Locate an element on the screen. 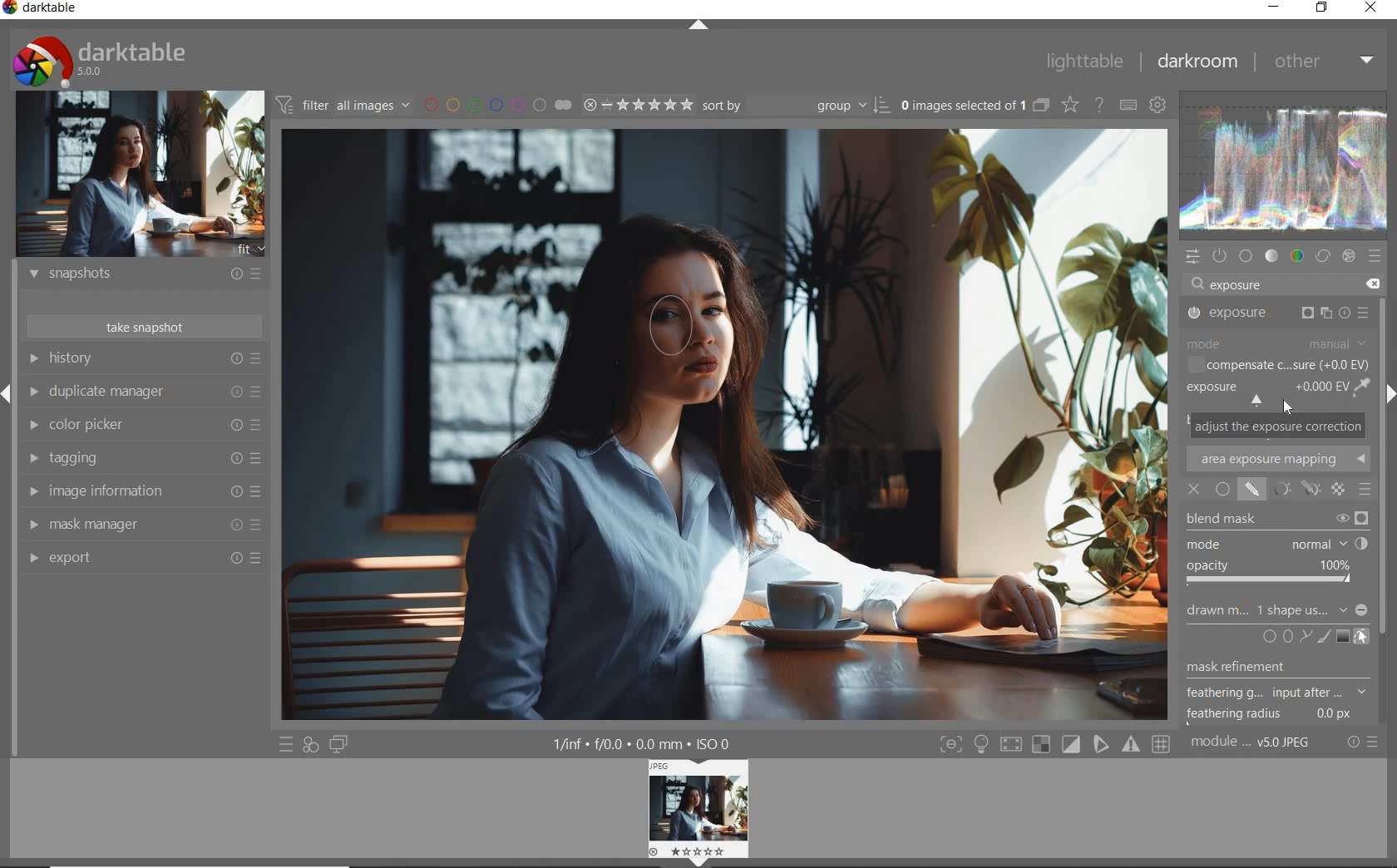  ADD GRADIENT is located at coordinates (1343, 637).